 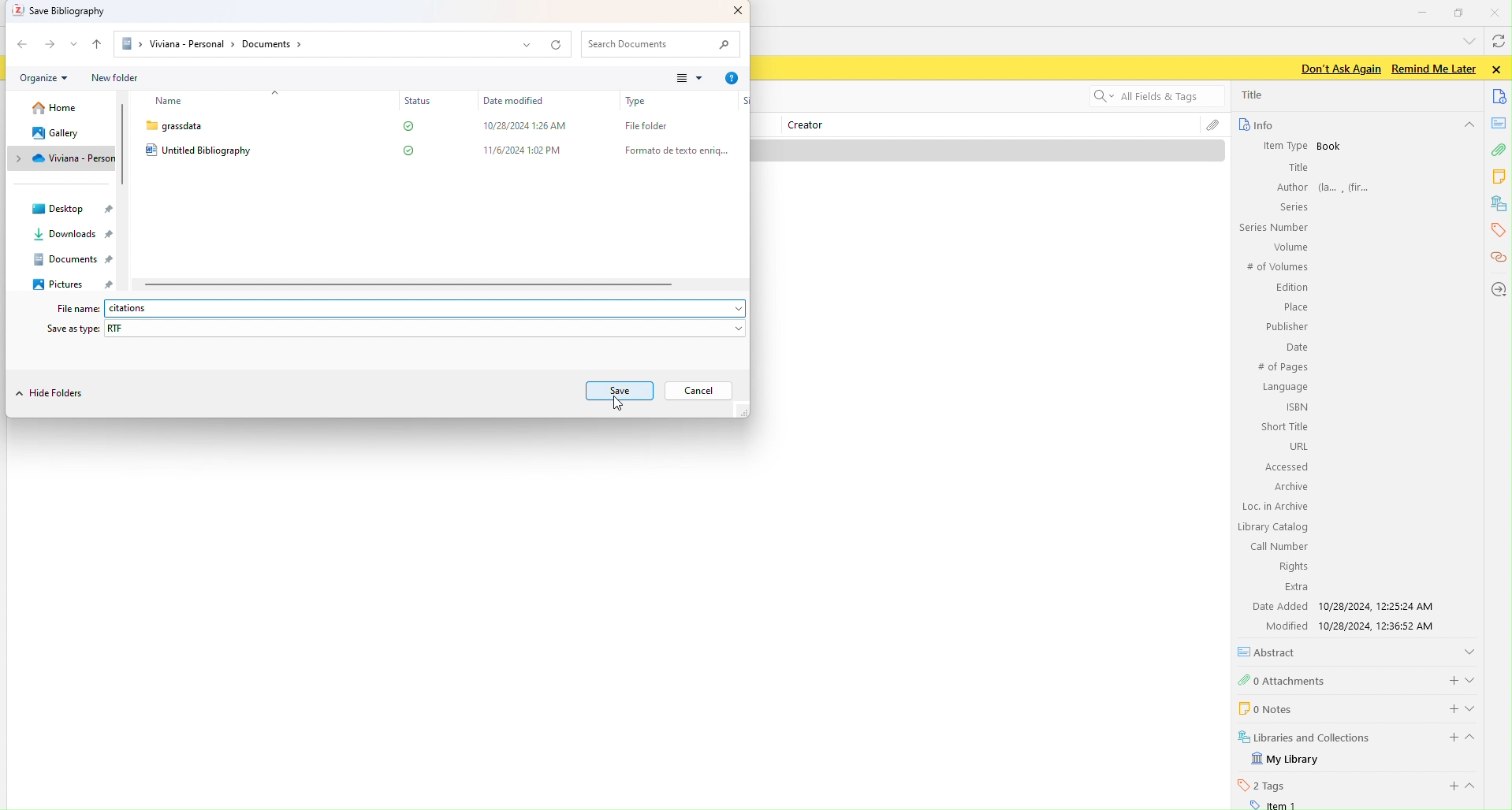 What do you see at coordinates (72, 259) in the screenshot?
I see `Documents` at bounding box center [72, 259].